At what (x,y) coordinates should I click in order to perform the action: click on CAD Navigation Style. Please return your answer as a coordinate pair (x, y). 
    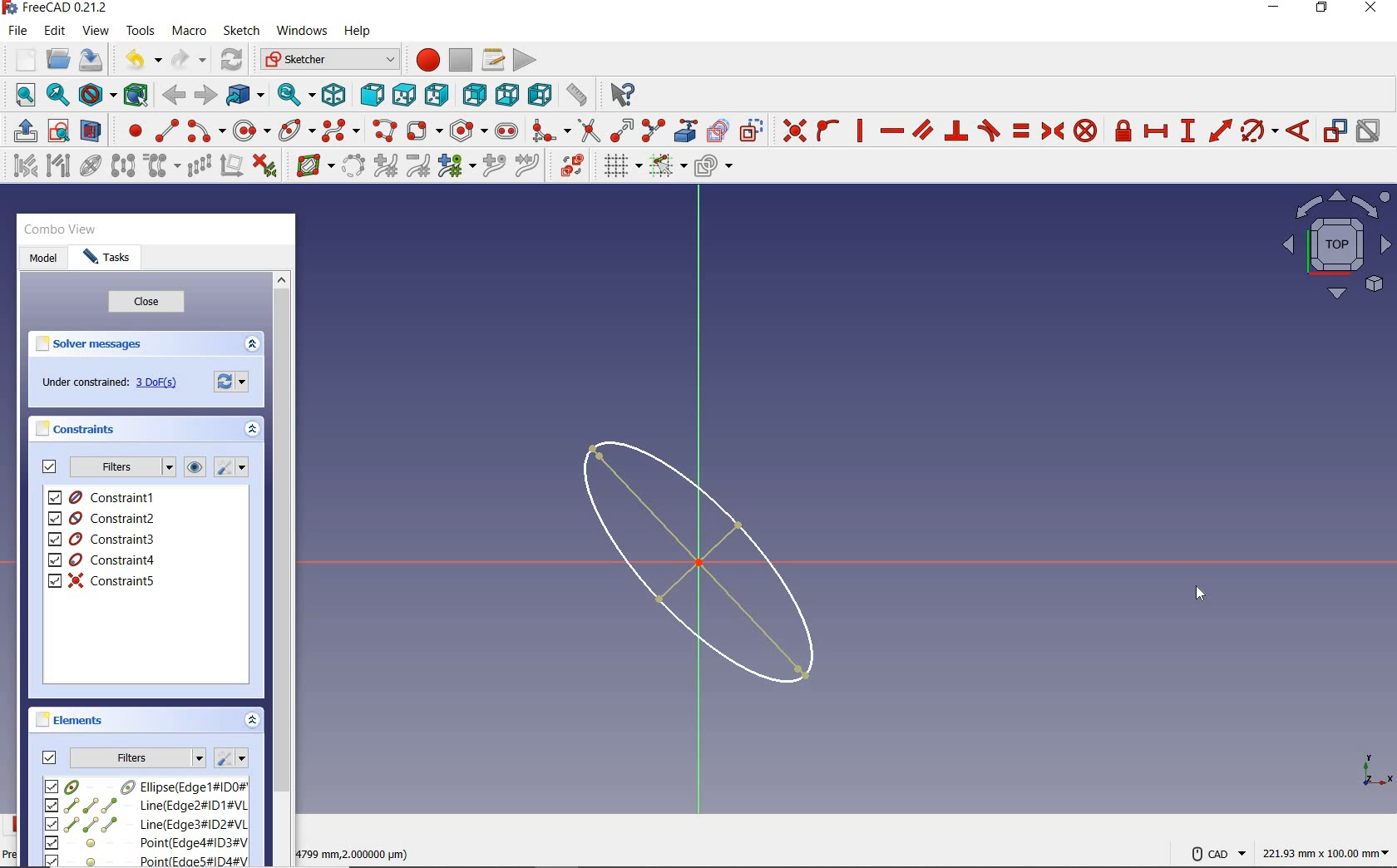
    Looking at the image, I should click on (1214, 851).